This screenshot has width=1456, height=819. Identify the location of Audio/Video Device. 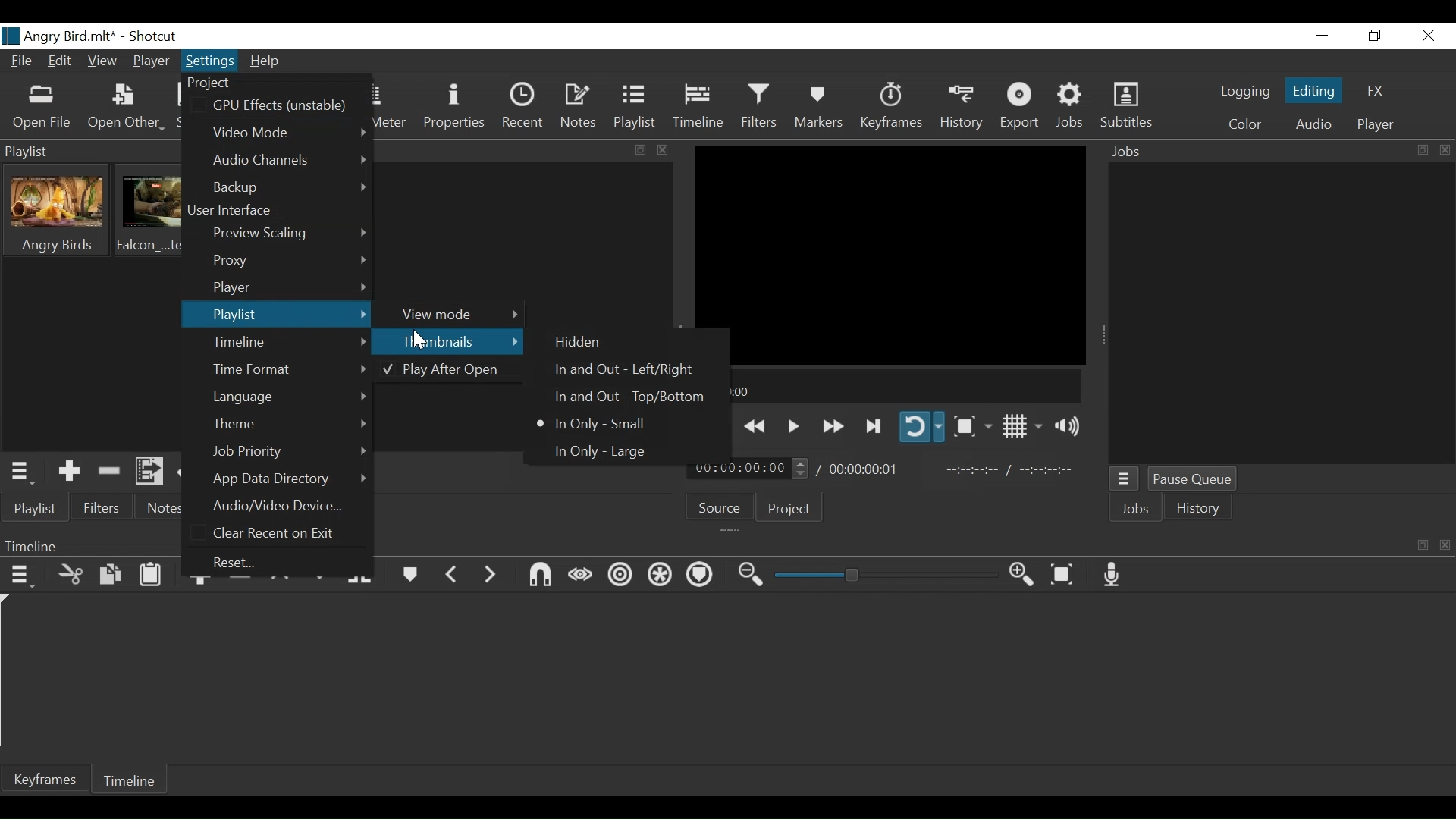
(284, 505).